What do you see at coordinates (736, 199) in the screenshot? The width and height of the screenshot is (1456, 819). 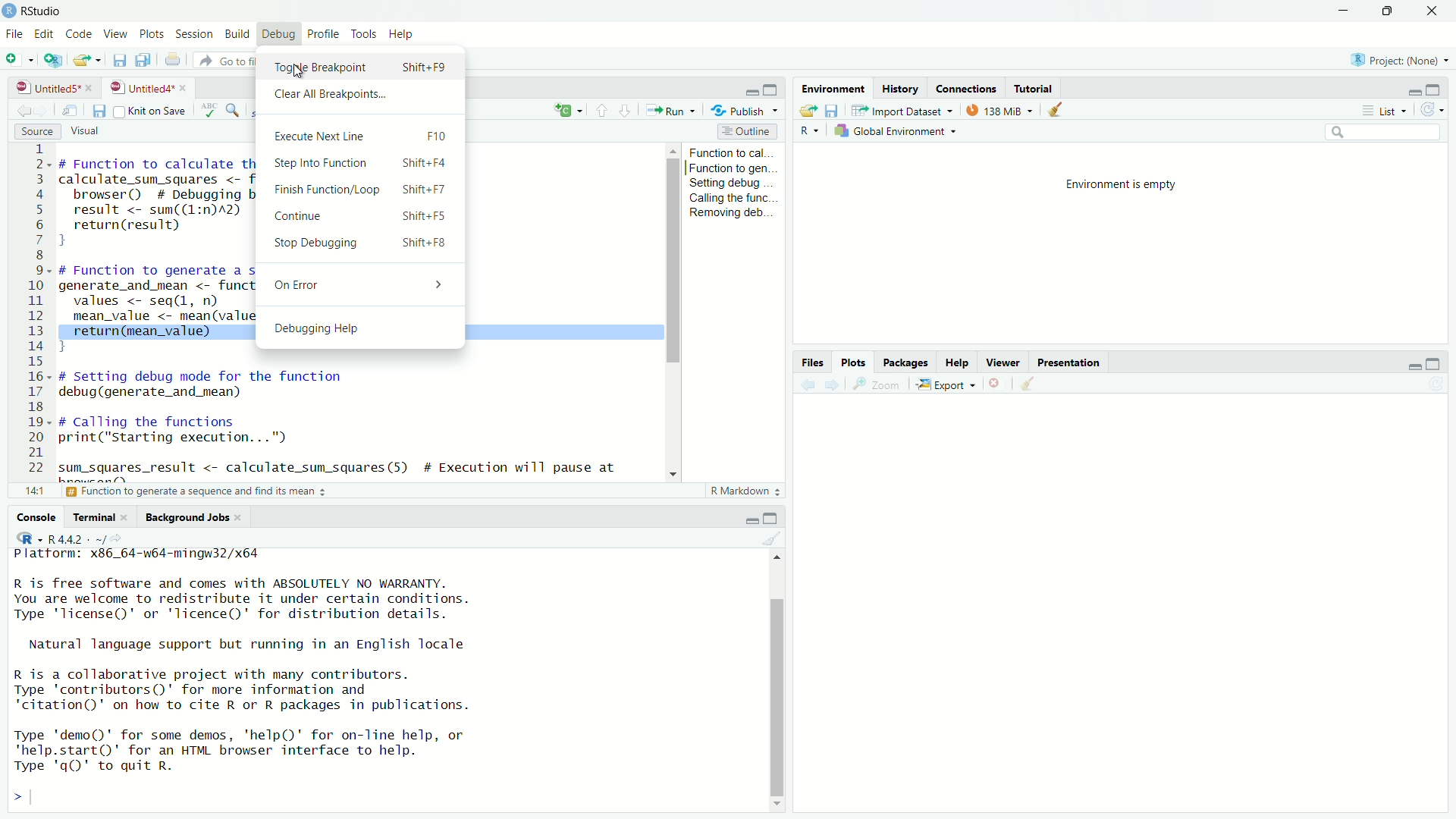 I see `calling the func...` at bounding box center [736, 199].